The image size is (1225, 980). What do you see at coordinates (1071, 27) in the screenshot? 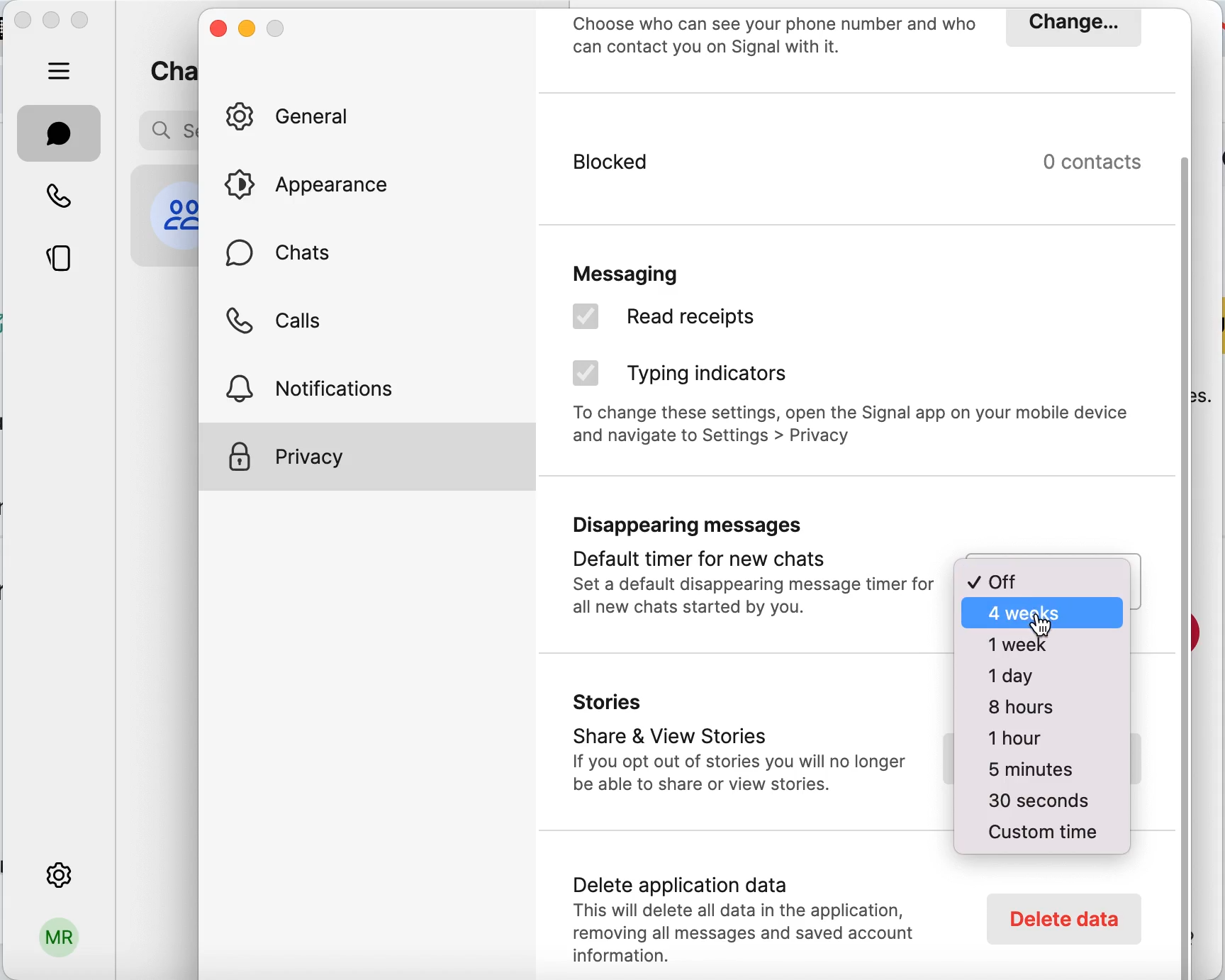
I see `change` at bounding box center [1071, 27].